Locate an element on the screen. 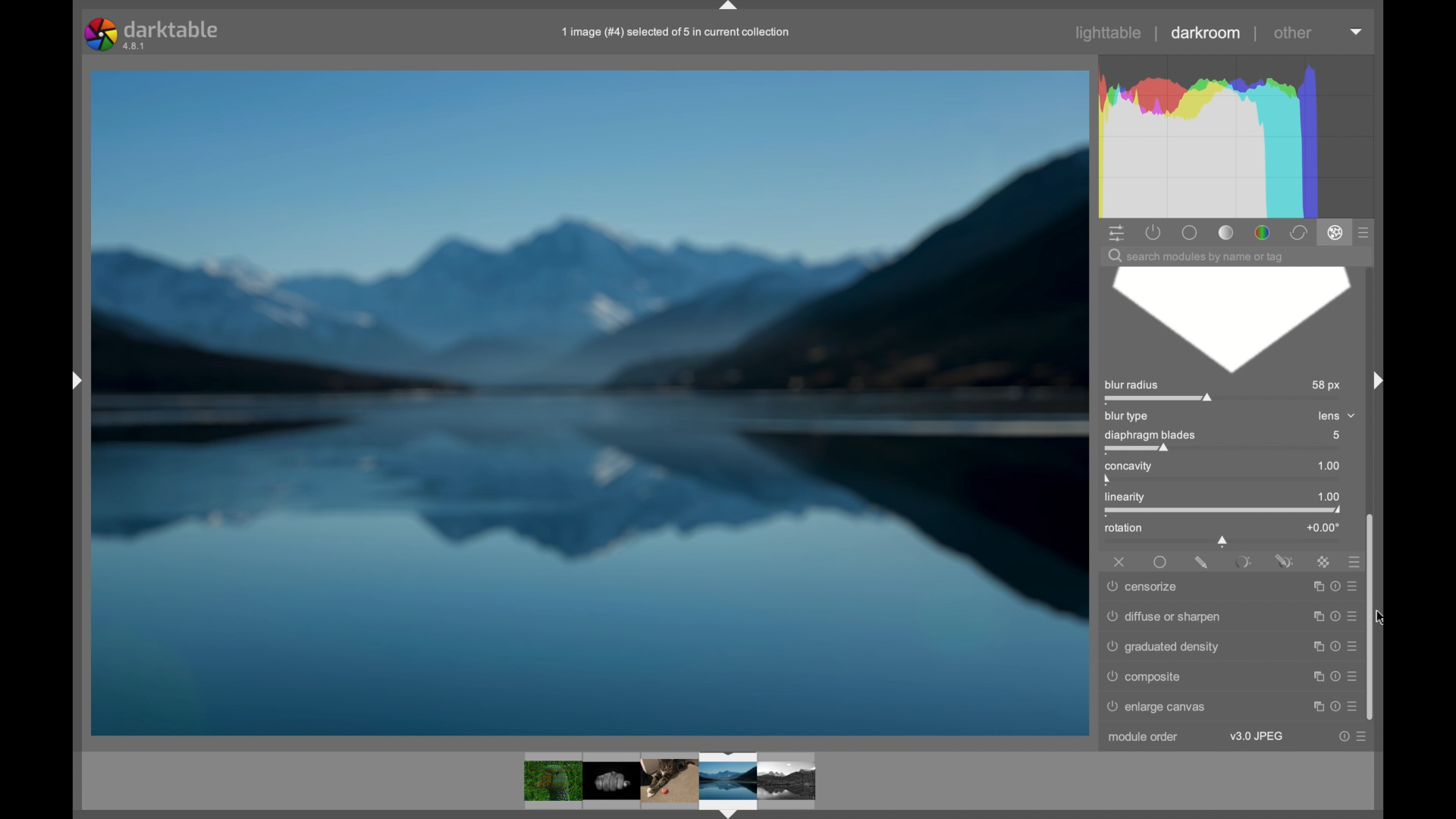 Image resolution: width=1456 pixels, height=819 pixels.  is located at coordinates (669, 781).